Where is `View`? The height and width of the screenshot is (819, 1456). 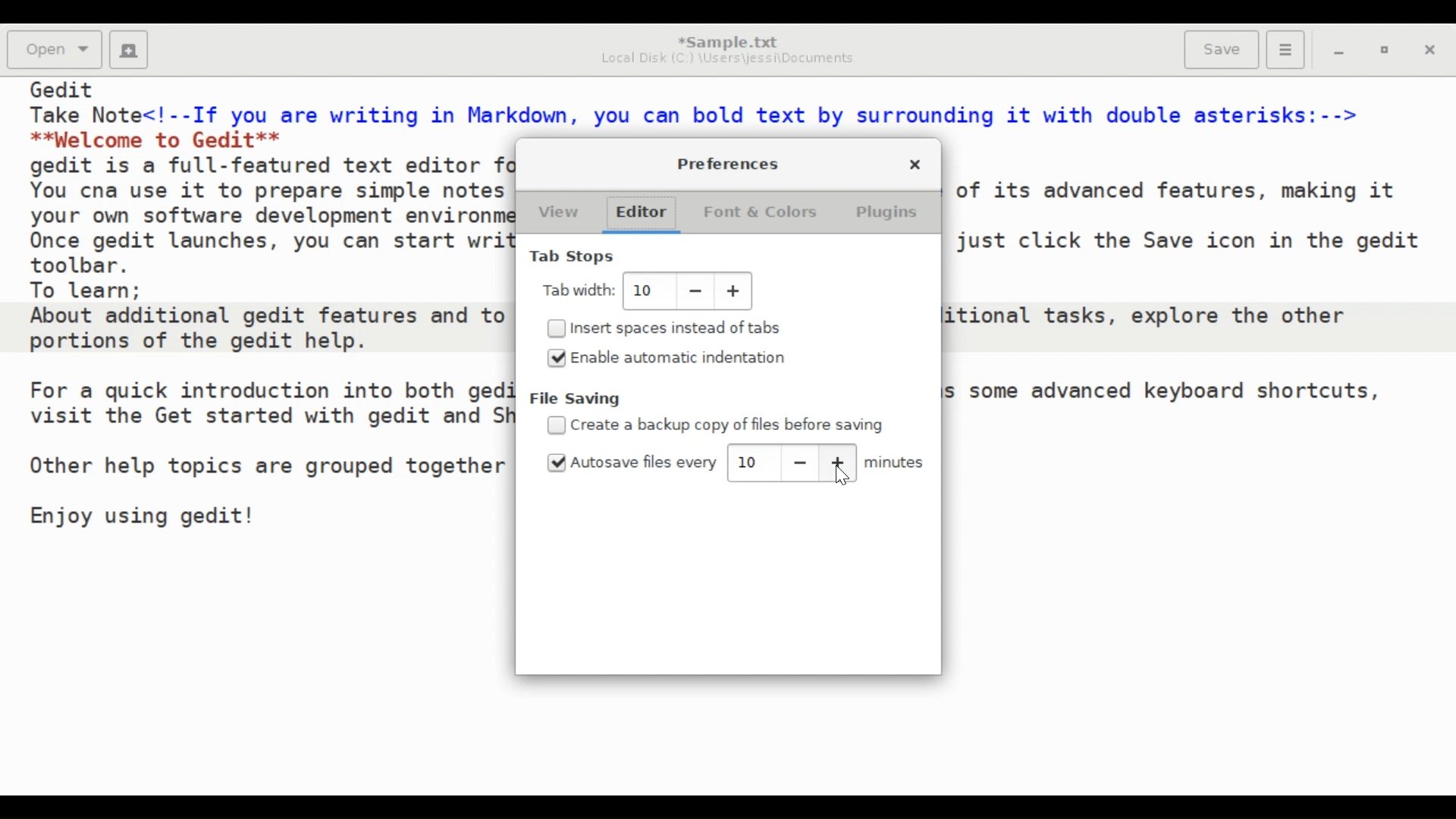 View is located at coordinates (557, 213).